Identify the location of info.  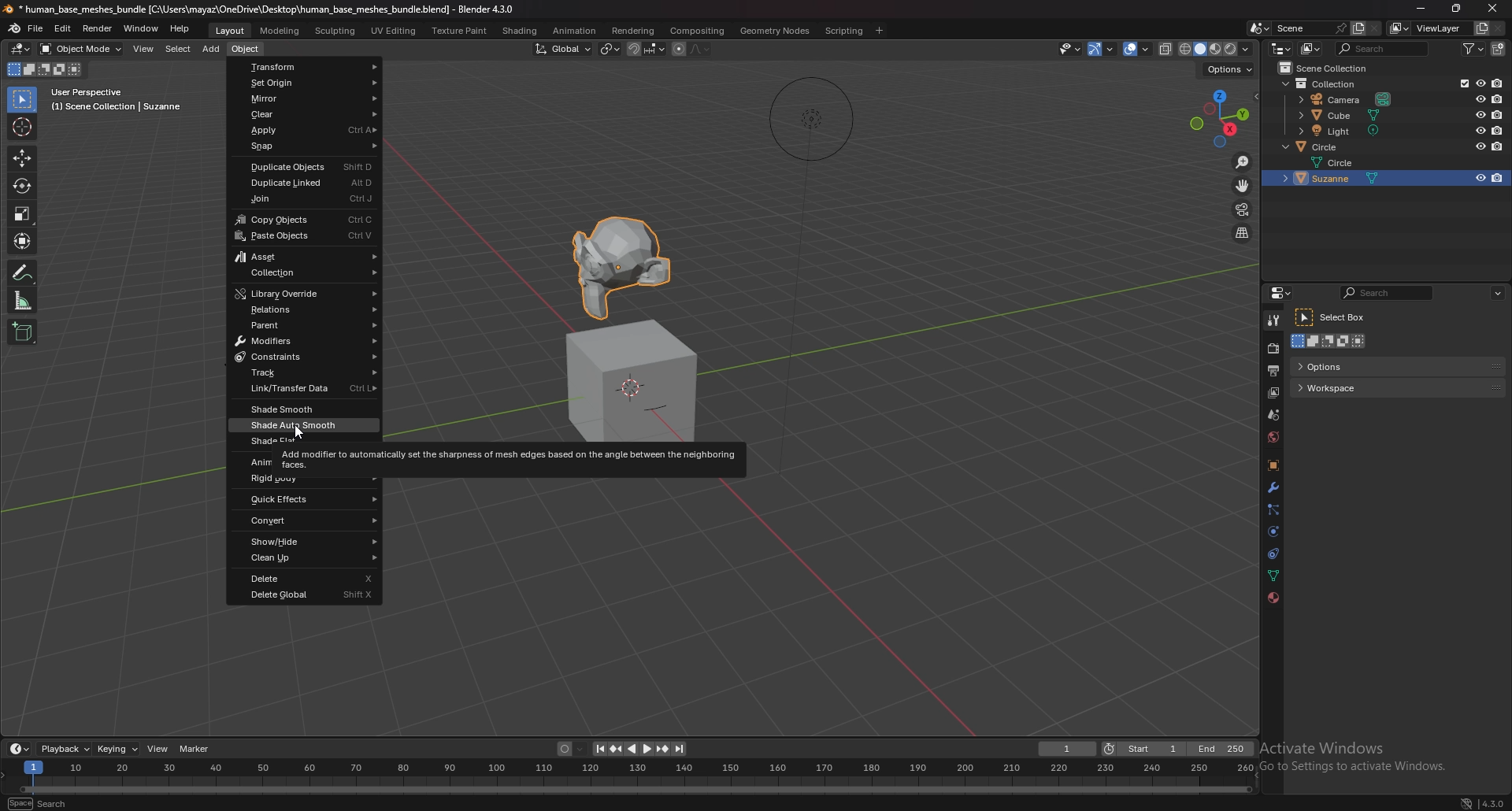
(117, 100).